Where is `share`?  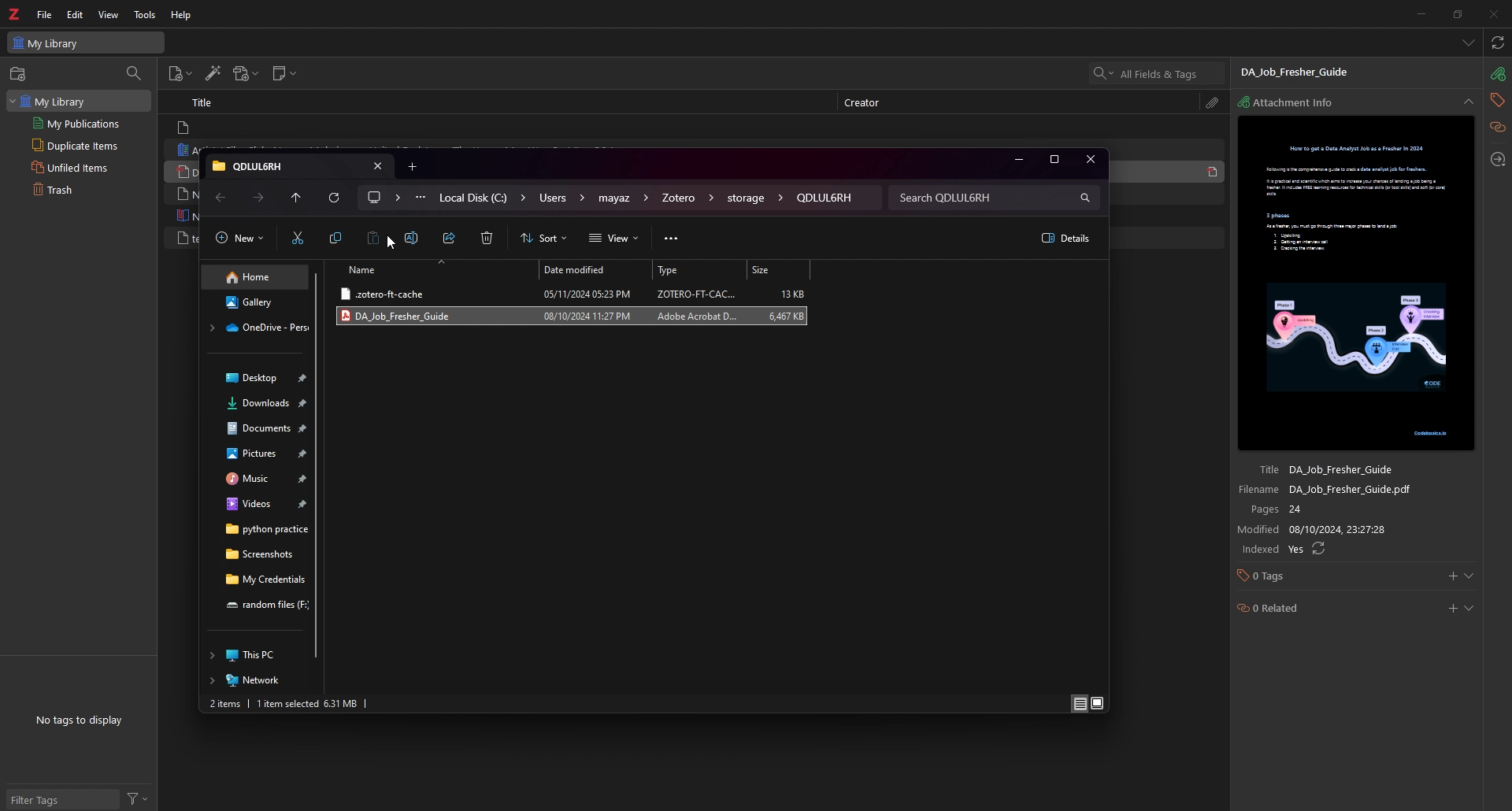
share is located at coordinates (451, 239).